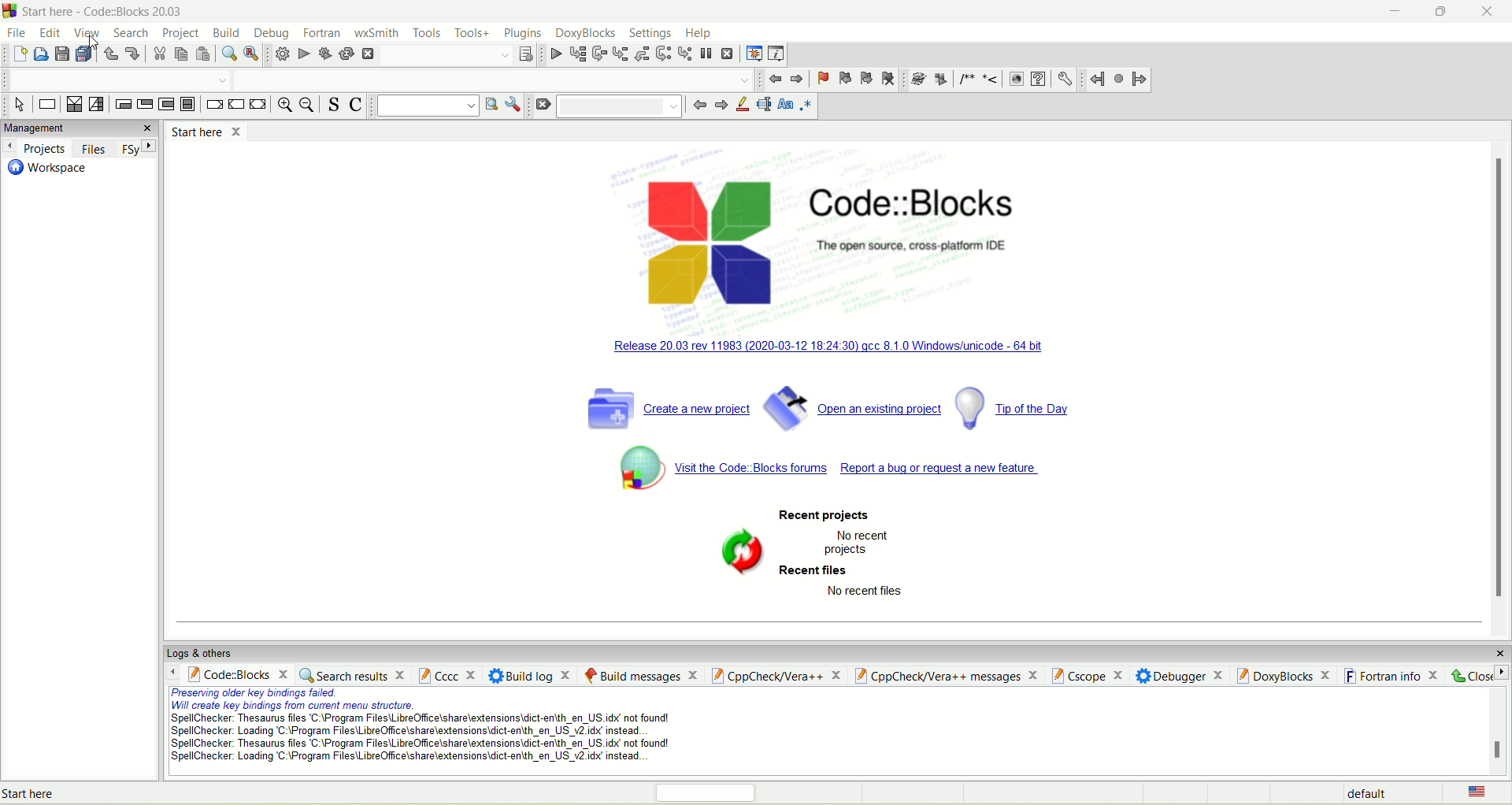 Image resolution: width=1512 pixels, height=805 pixels. Describe the element at coordinates (752, 469) in the screenshot. I see `Visit the Code: Blocks forums` at that location.